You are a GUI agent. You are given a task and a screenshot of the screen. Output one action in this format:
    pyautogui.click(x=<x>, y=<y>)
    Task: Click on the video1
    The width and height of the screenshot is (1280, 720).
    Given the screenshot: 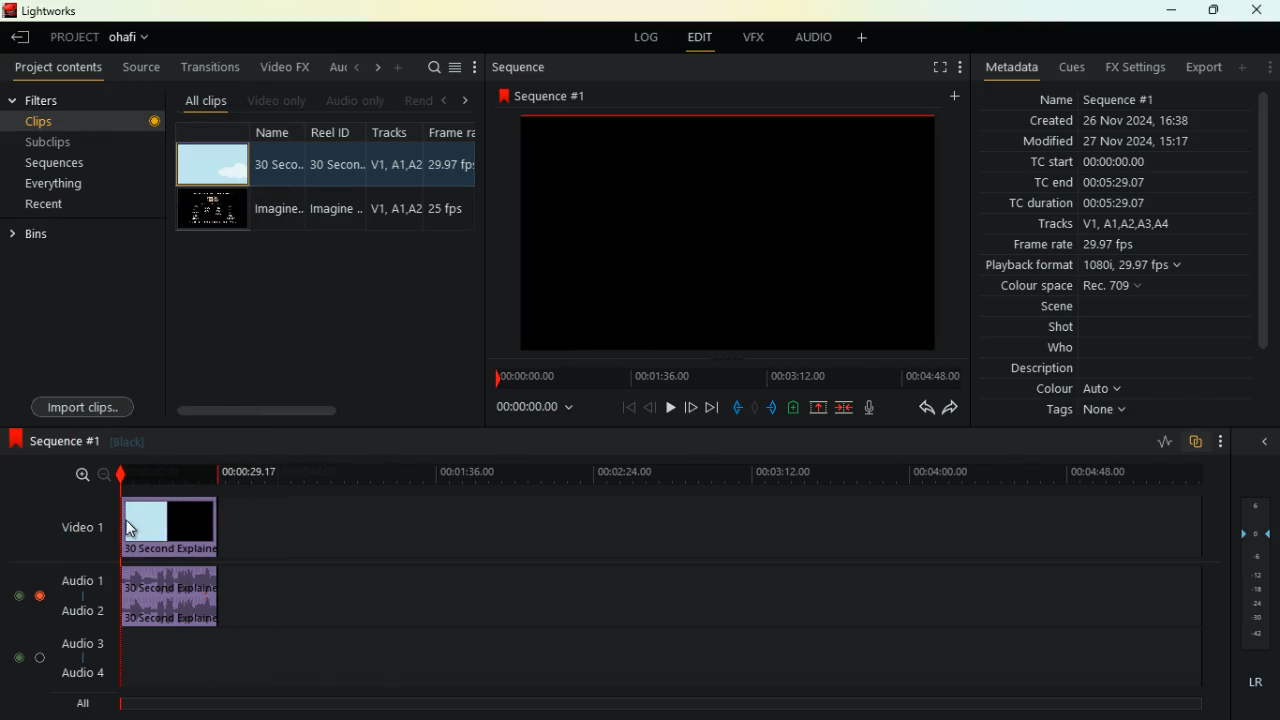 What is the action you would take?
    pyautogui.click(x=78, y=526)
    